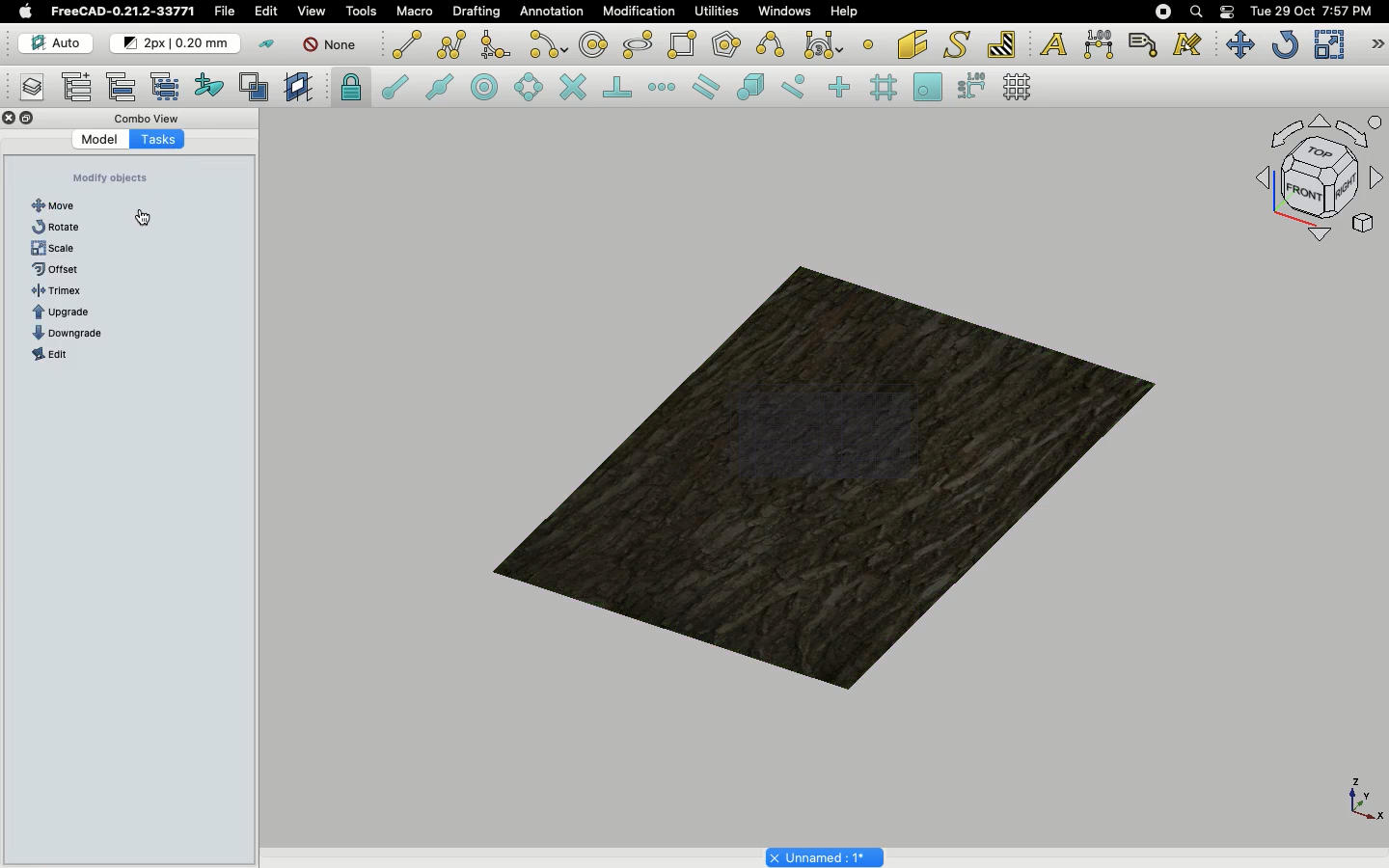 The image size is (1389, 868). What do you see at coordinates (826, 44) in the screenshot?
I see `Bezier tools` at bounding box center [826, 44].